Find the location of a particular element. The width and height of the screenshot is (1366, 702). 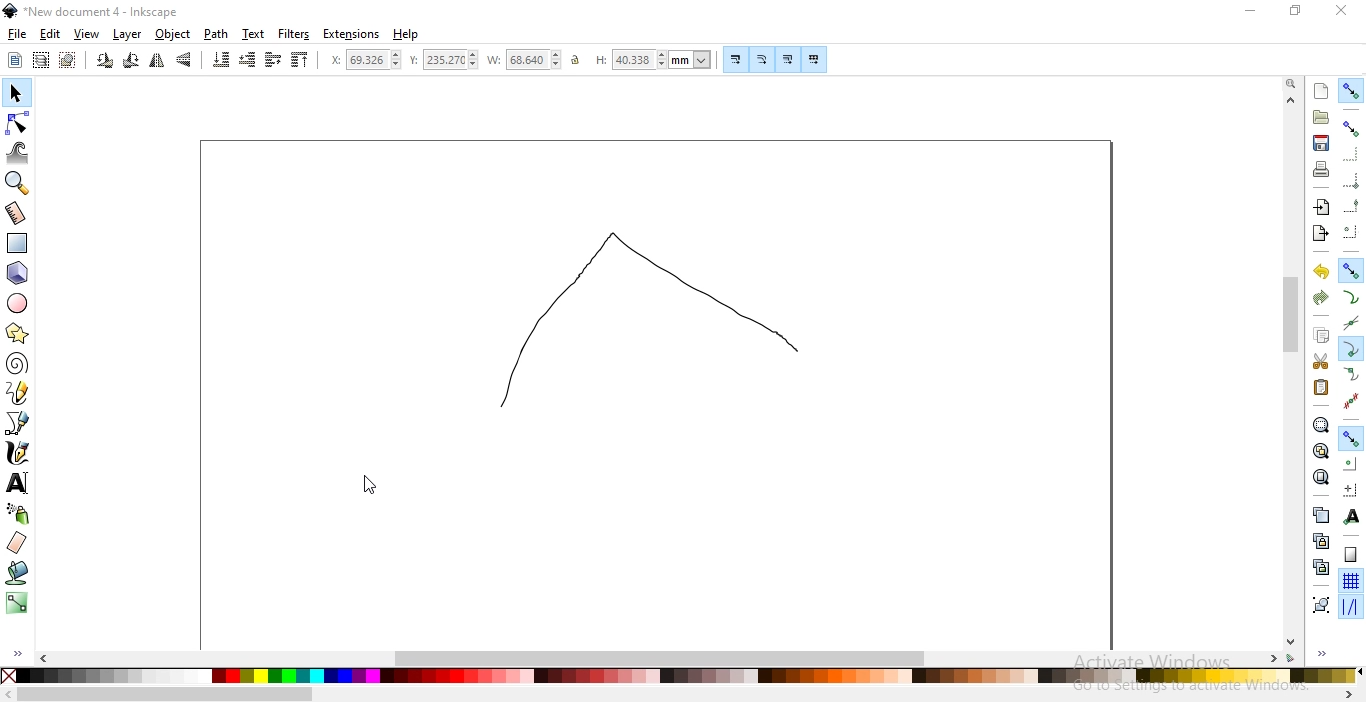

filters is located at coordinates (295, 34).